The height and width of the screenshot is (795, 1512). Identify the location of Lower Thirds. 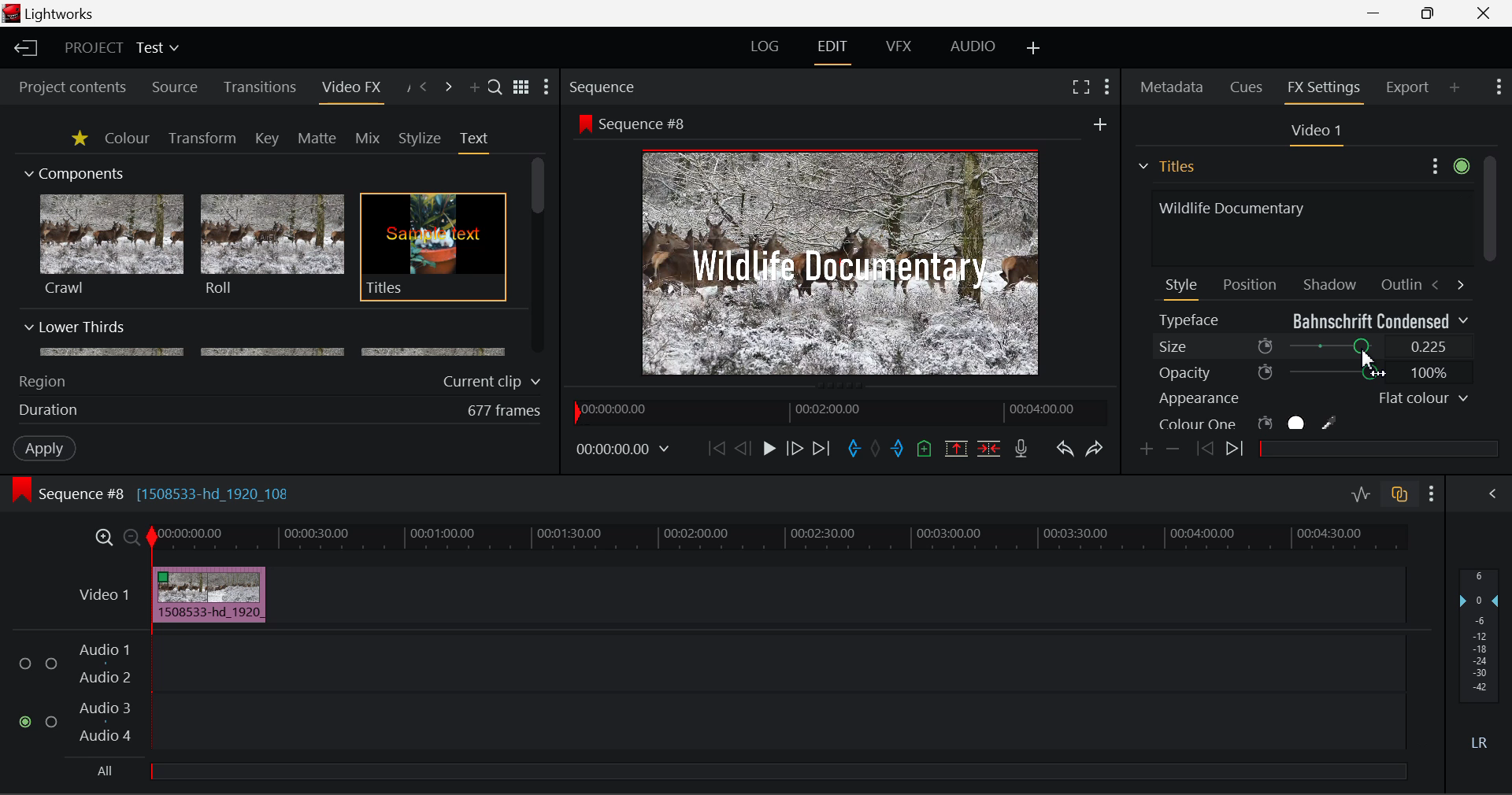
(266, 338).